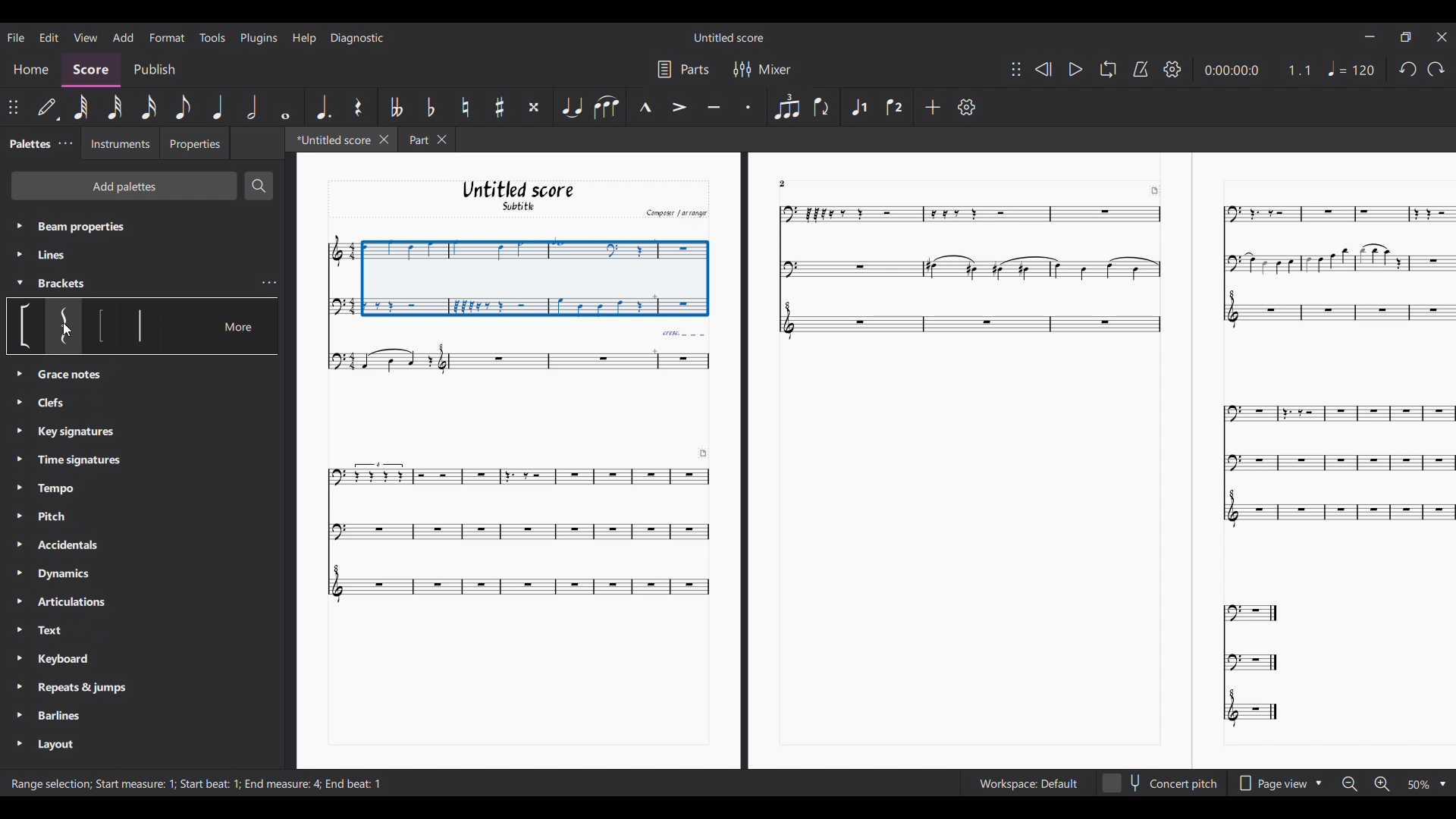 This screenshot has height=819, width=1456. What do you see at coordinates (358, 106) in the screenshot?
I see `Rest` at bounding box center [358, 106].